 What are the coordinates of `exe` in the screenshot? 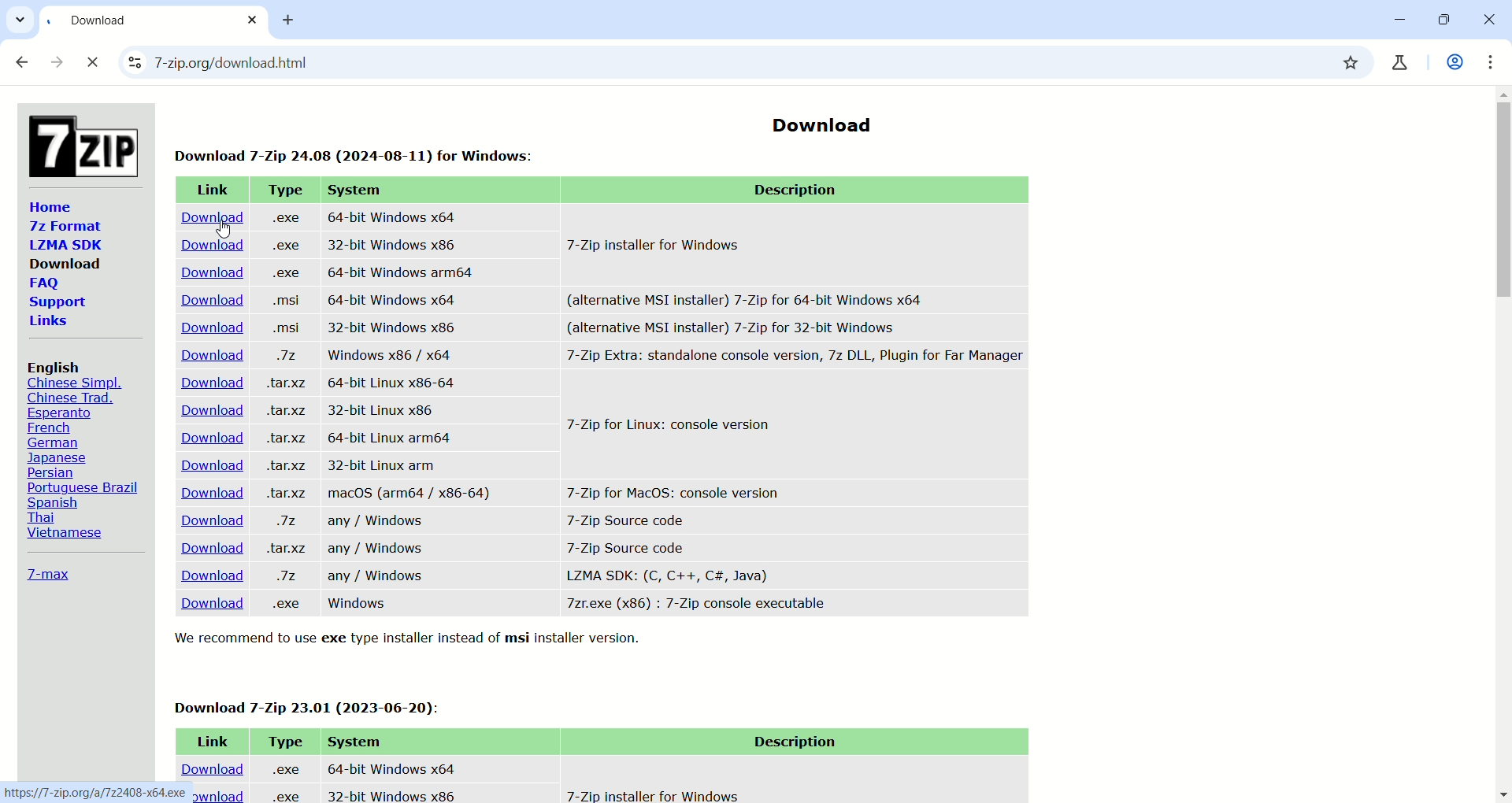 It's located at (287, 274).